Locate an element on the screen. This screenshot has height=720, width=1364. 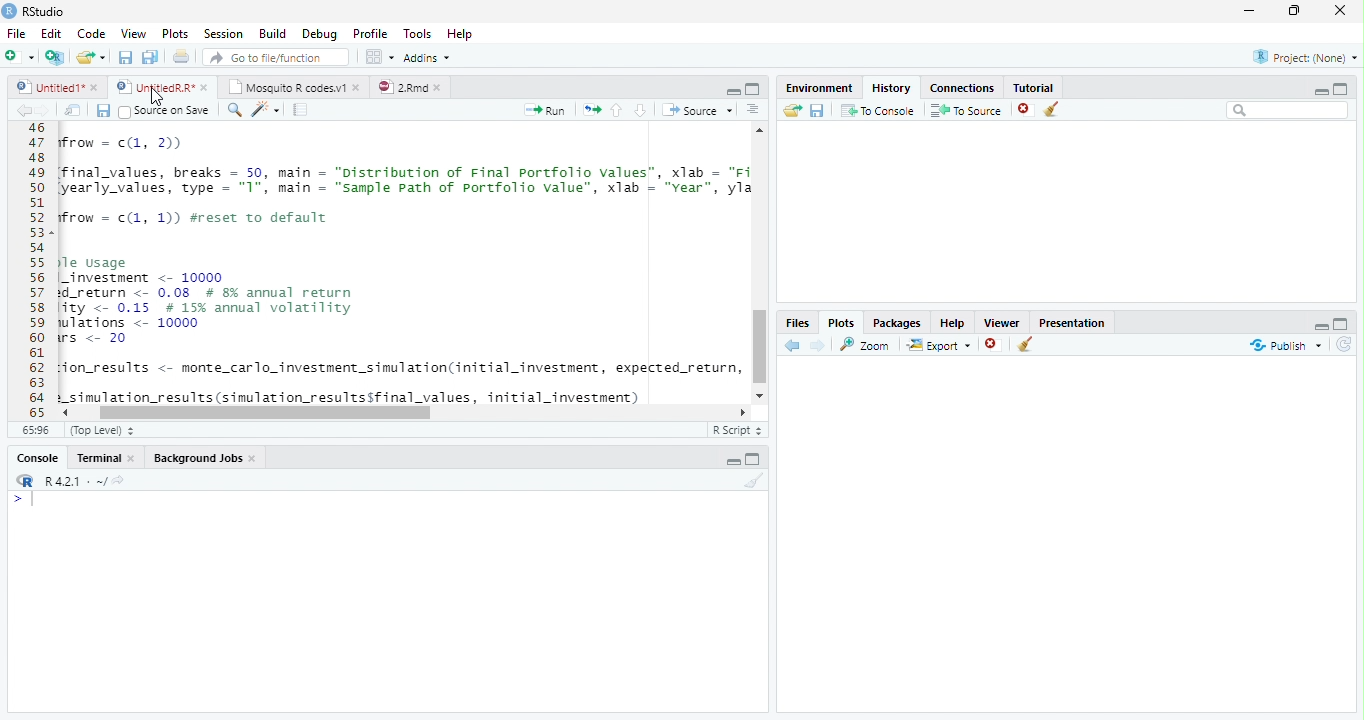
Go to previous section of code is located at coordinates (617, 112).